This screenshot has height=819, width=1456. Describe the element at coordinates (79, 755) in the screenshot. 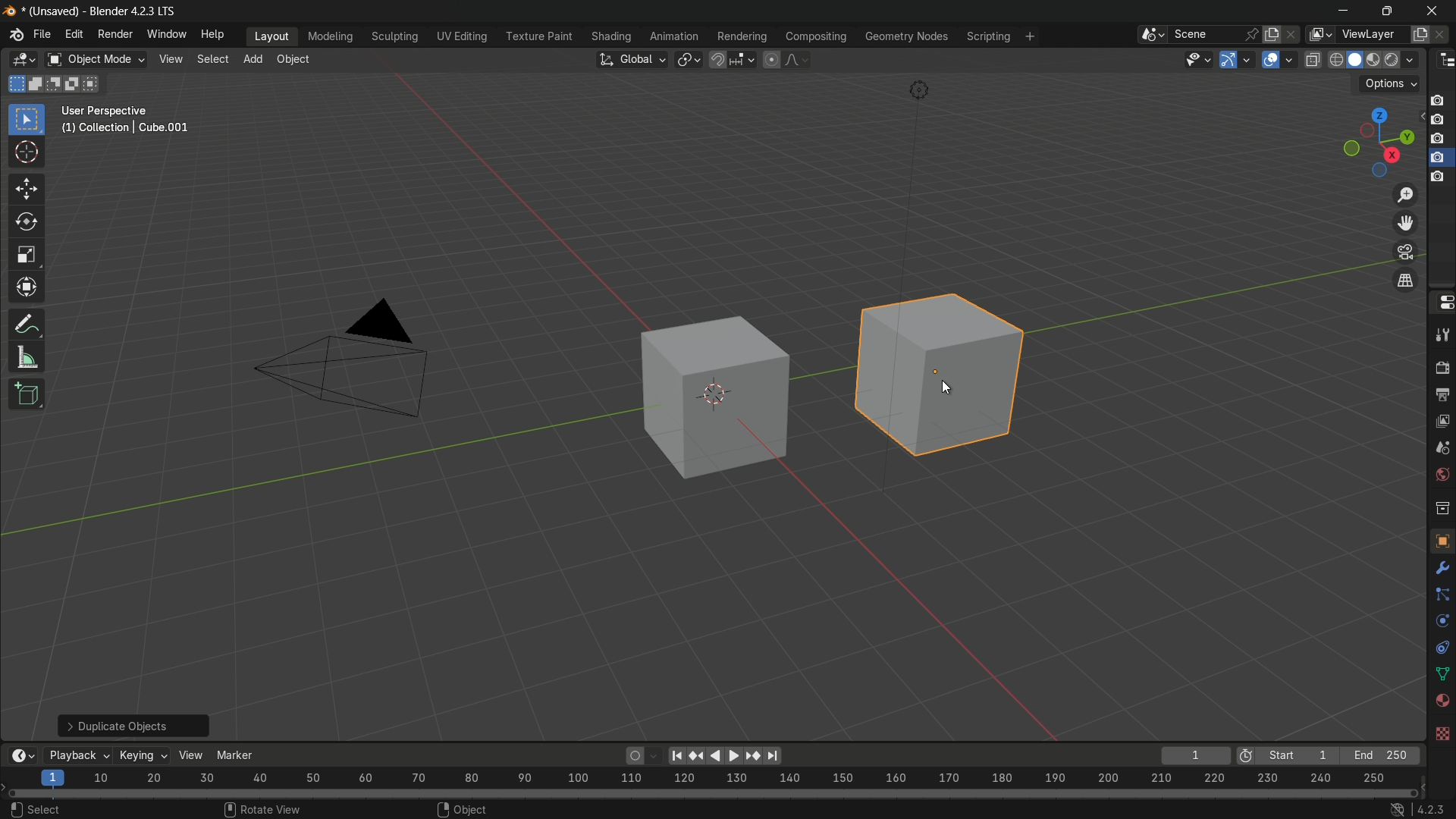

I see `playback` at that location.